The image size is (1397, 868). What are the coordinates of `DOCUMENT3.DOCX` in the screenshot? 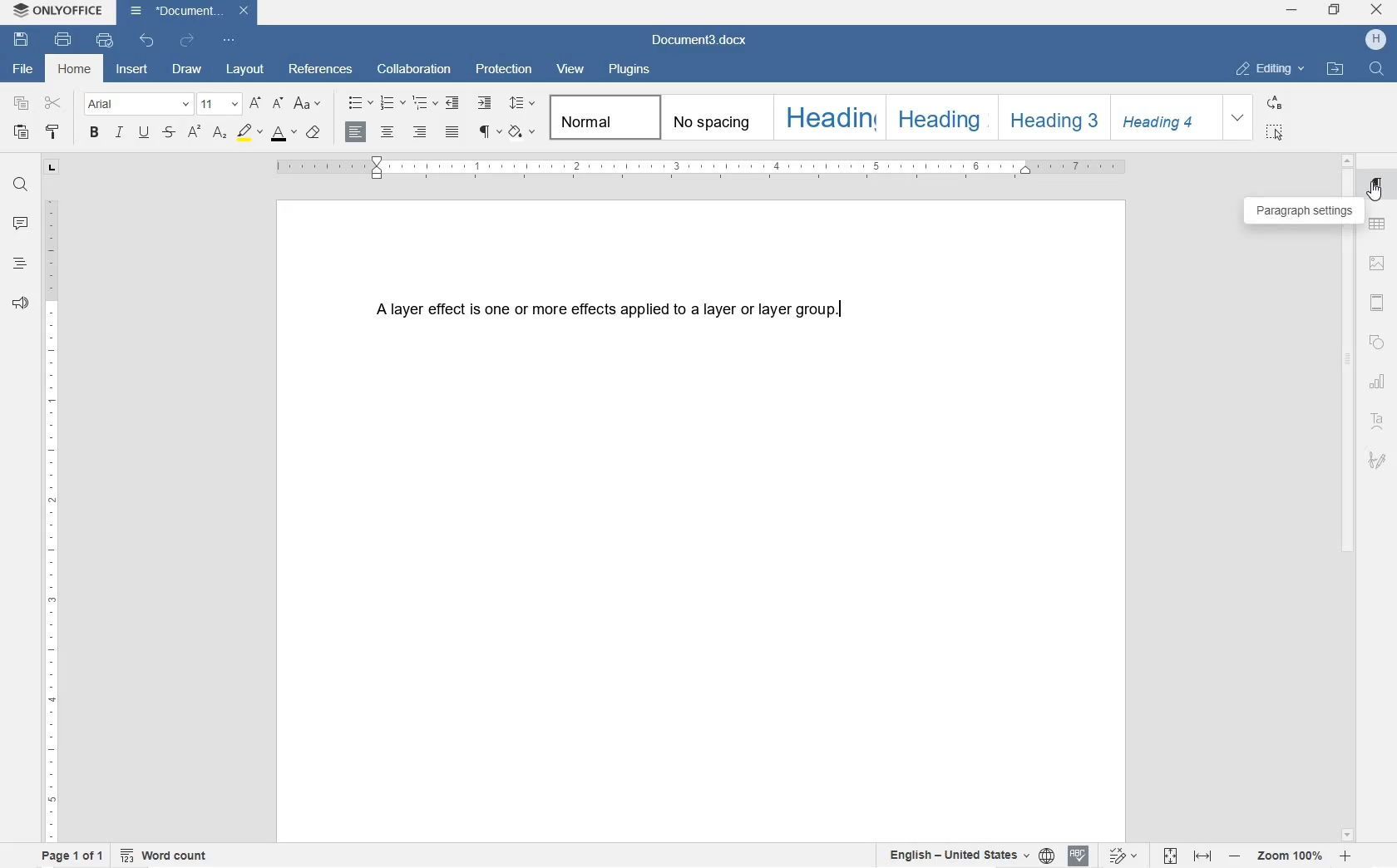 It's located at (192, 13).